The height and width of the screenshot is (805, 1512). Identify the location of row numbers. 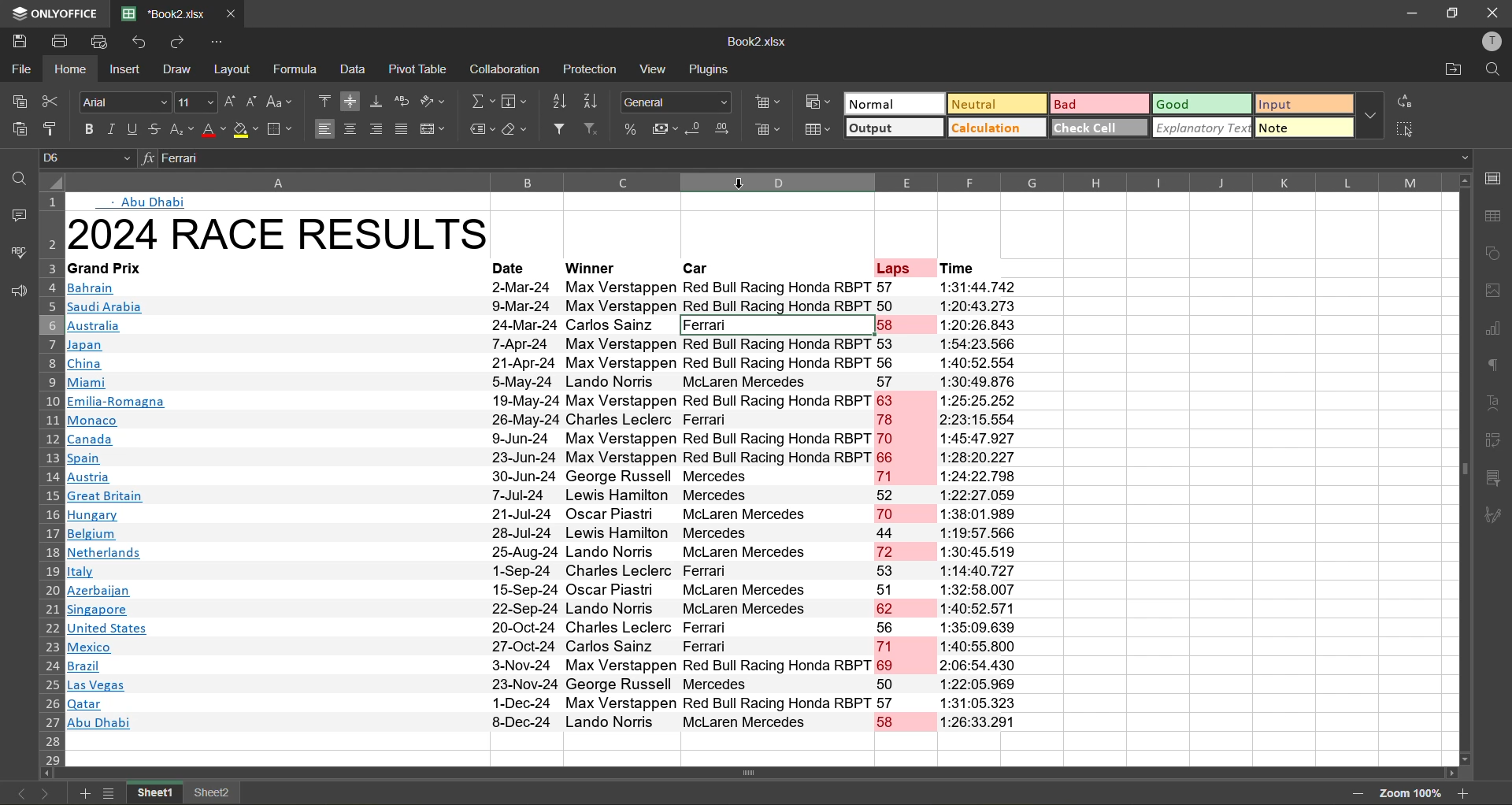
(54, 478).